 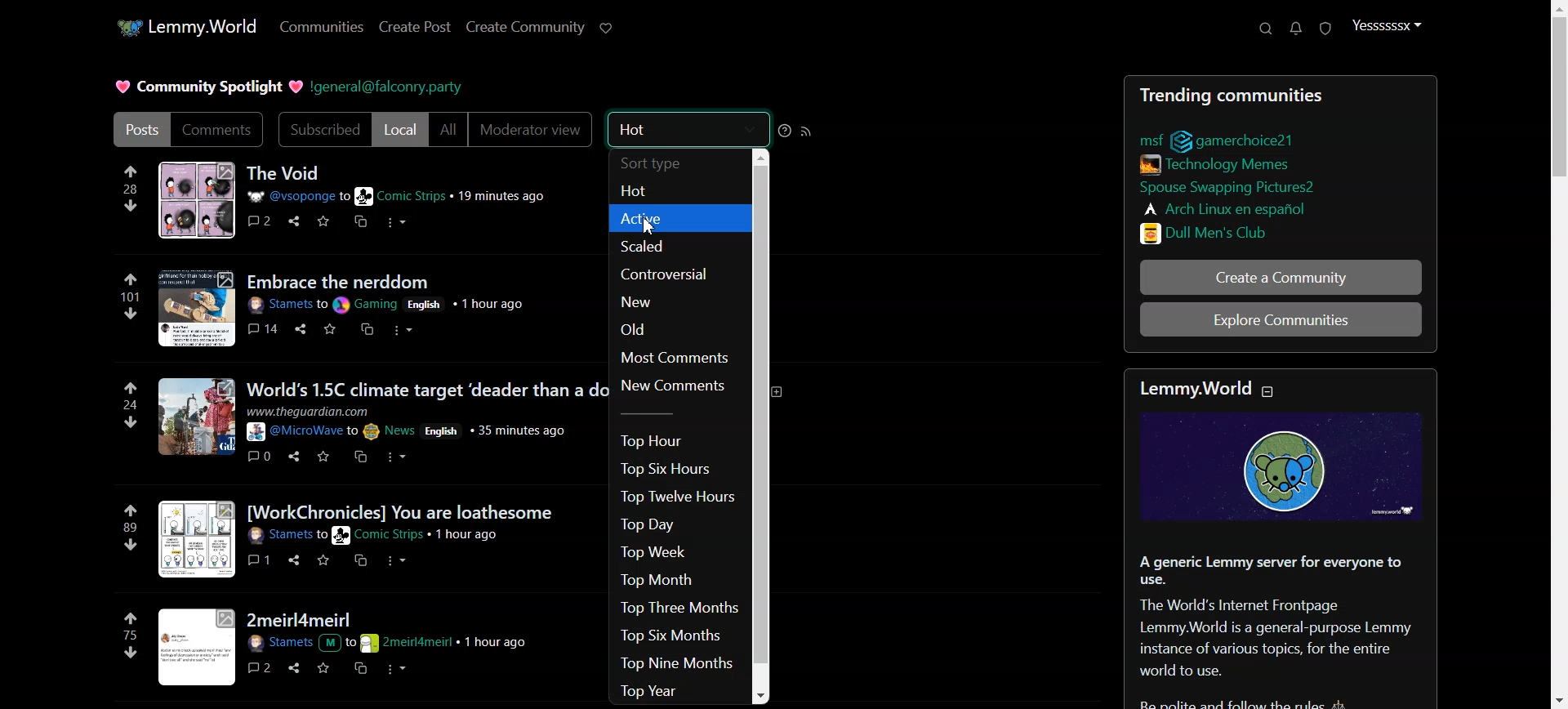 What do you see at coordinates (132, 635) in the screenshot?
I see `75` at bounding box center [132, 635].